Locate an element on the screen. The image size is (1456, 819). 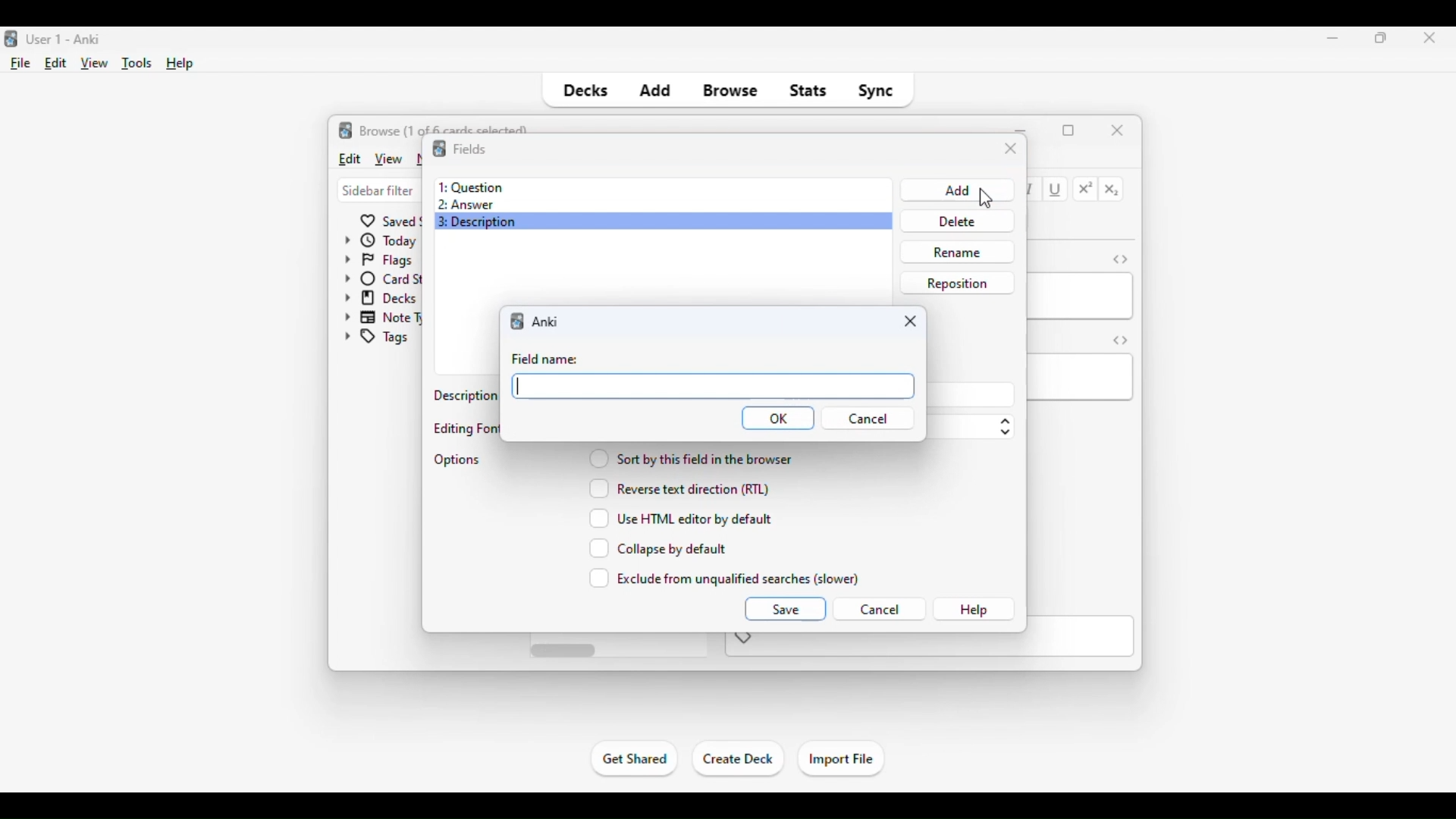
close is located at coordinates (910, 322).